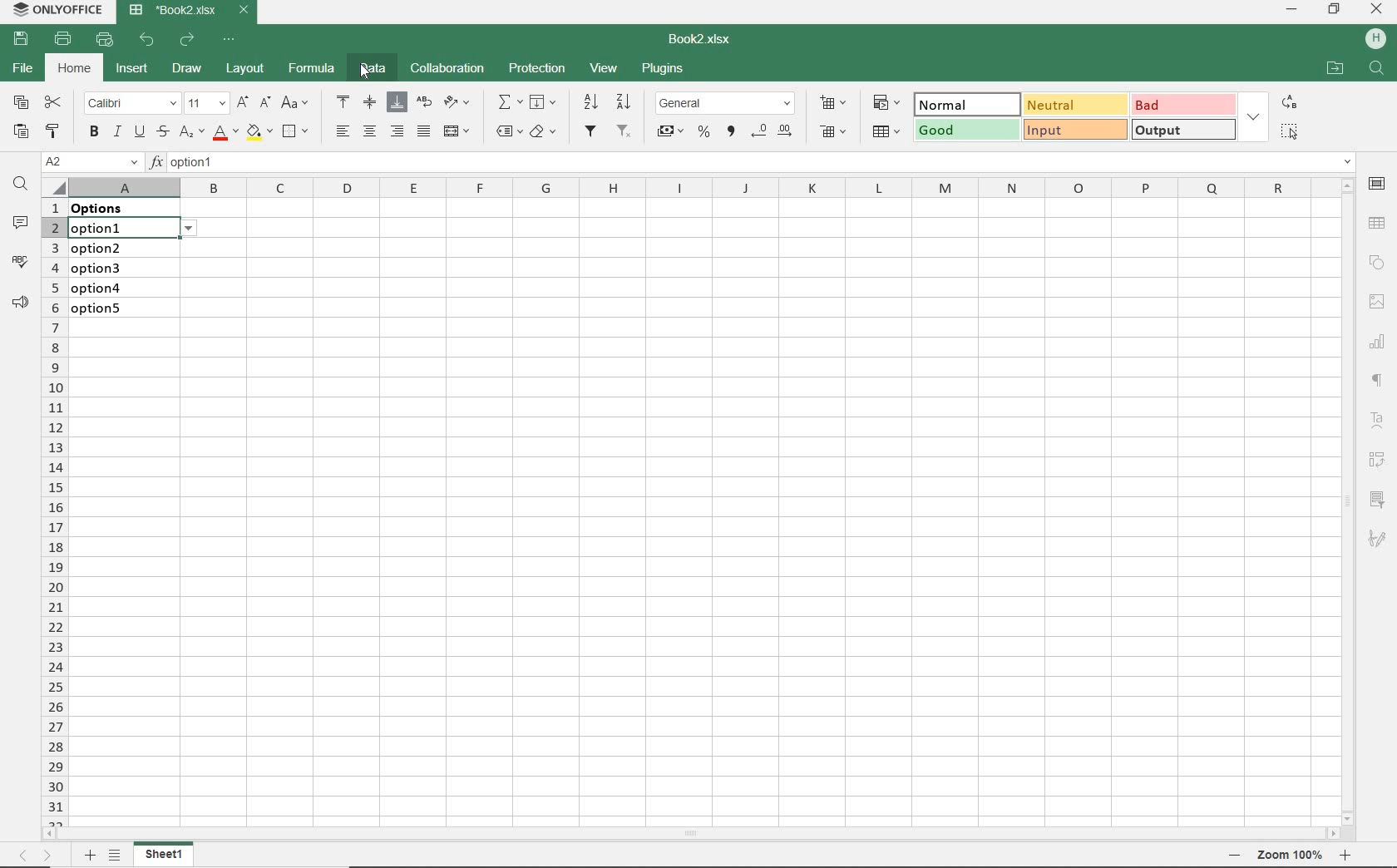 The image size is (1397, 868). I want to click on SCROLLBAR, so click(691, 832).